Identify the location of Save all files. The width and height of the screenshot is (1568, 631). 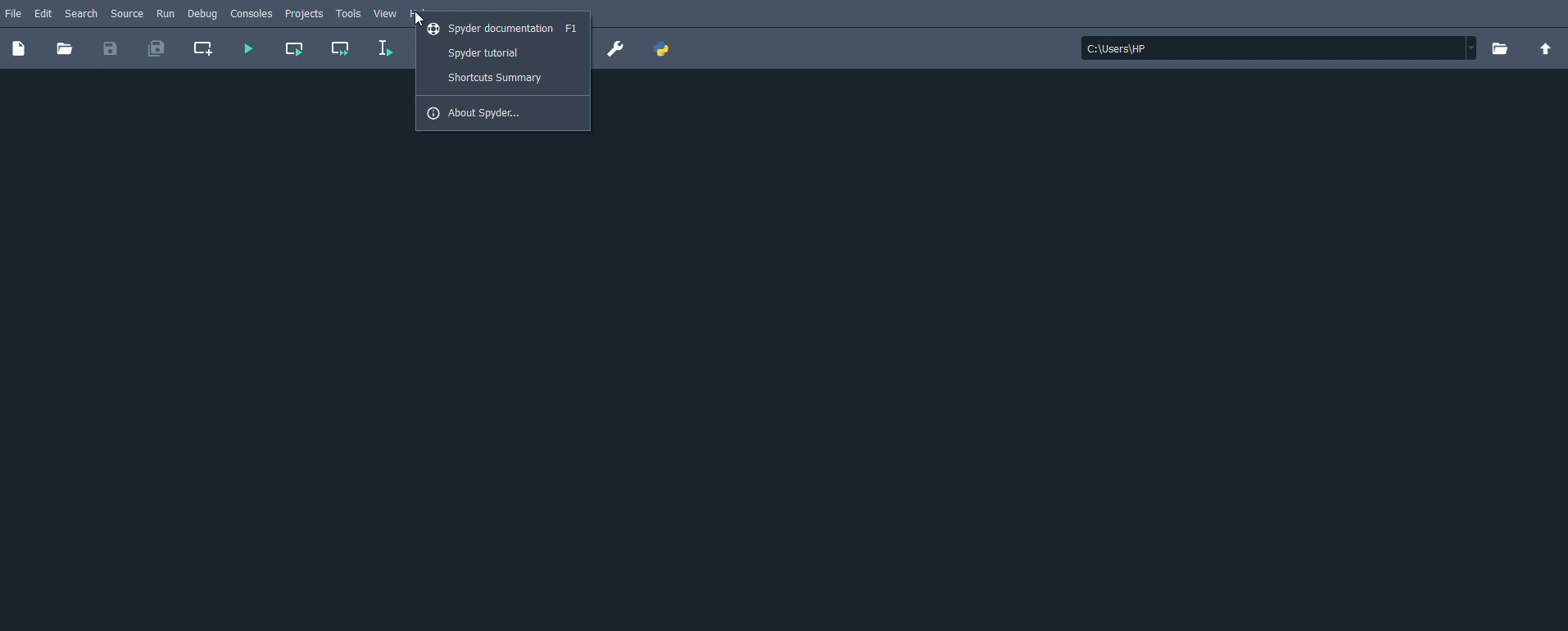
(158, 49).